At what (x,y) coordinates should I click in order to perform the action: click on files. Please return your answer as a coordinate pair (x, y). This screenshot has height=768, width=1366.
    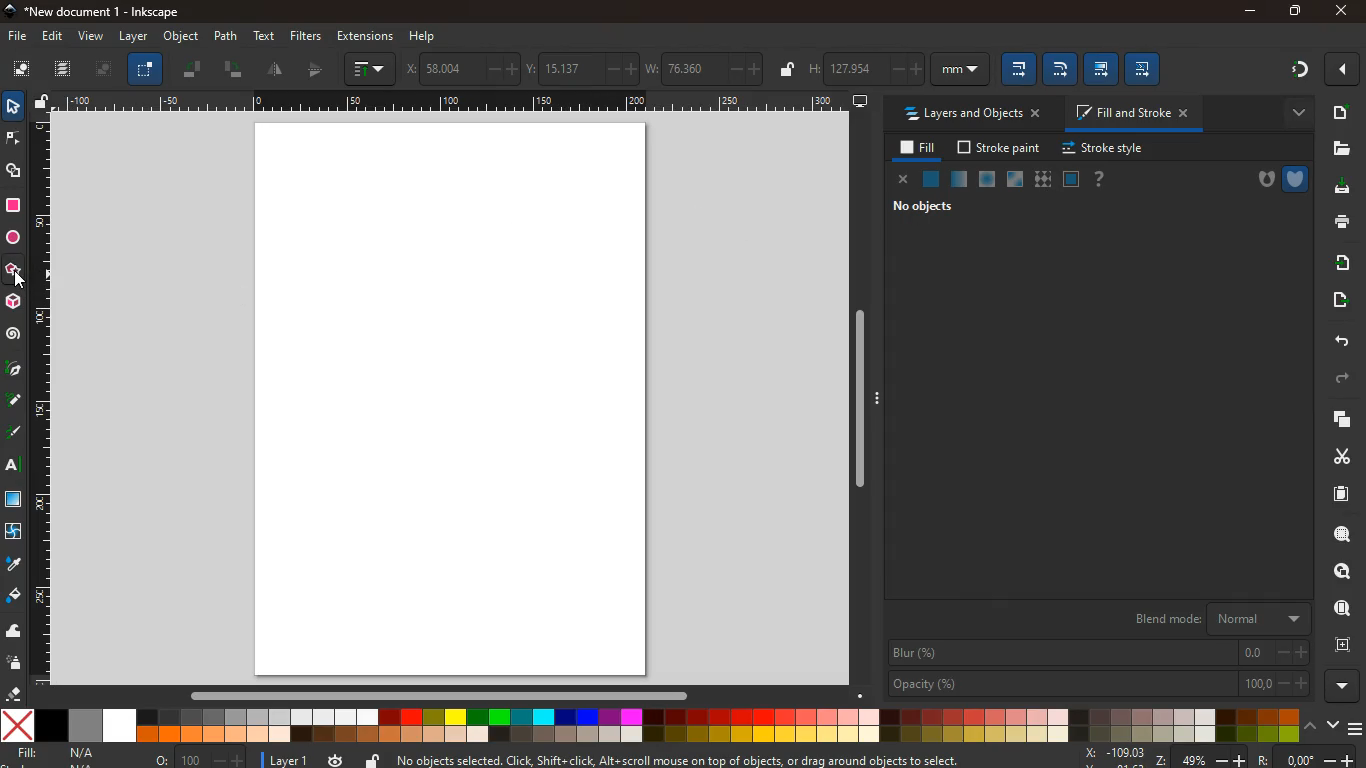
    Looking at the image, I should click on (1337, 148).